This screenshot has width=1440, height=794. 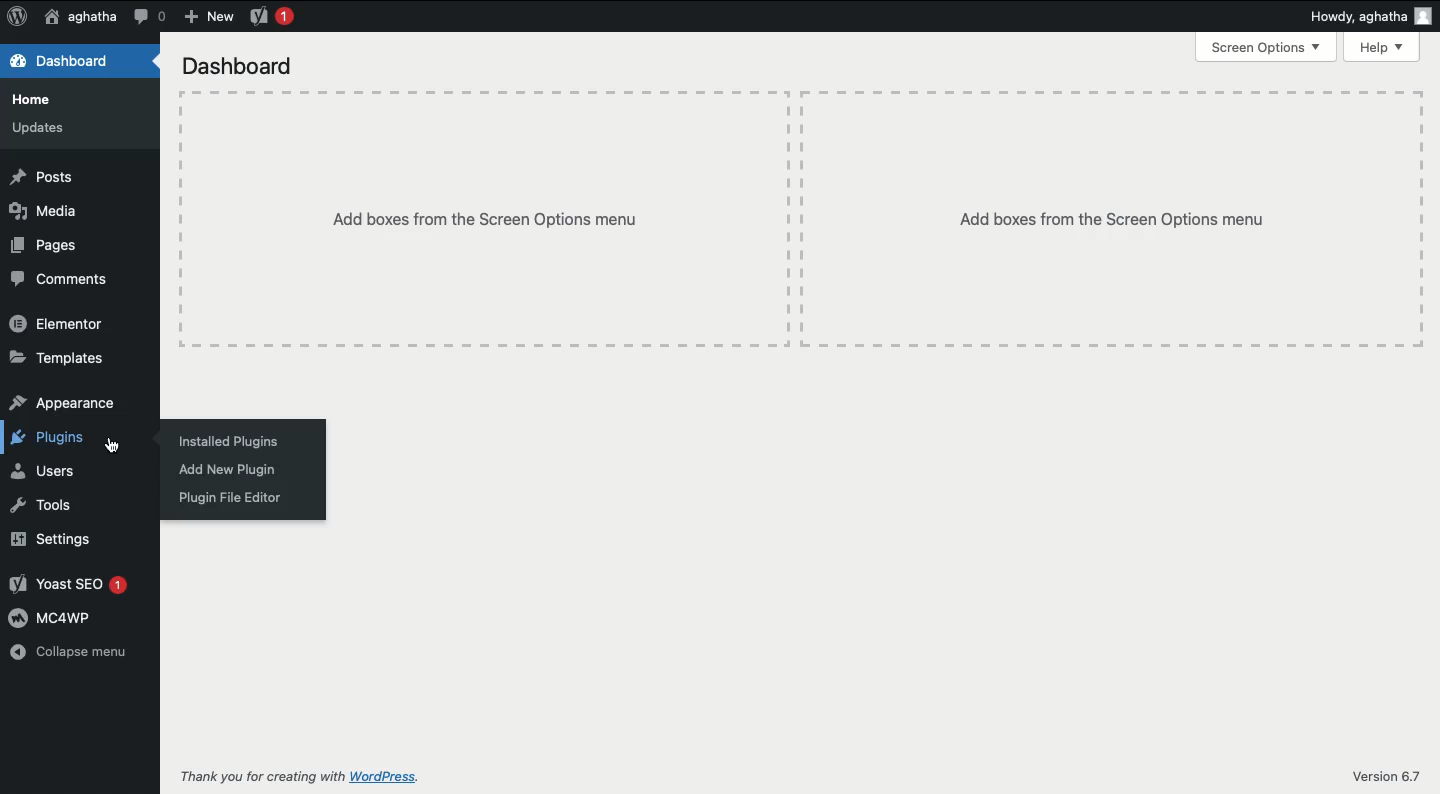 What do you see at coordinates (1267, 46) in the screenshot?
I see `Screen options` at bounding box center [1267, 46].